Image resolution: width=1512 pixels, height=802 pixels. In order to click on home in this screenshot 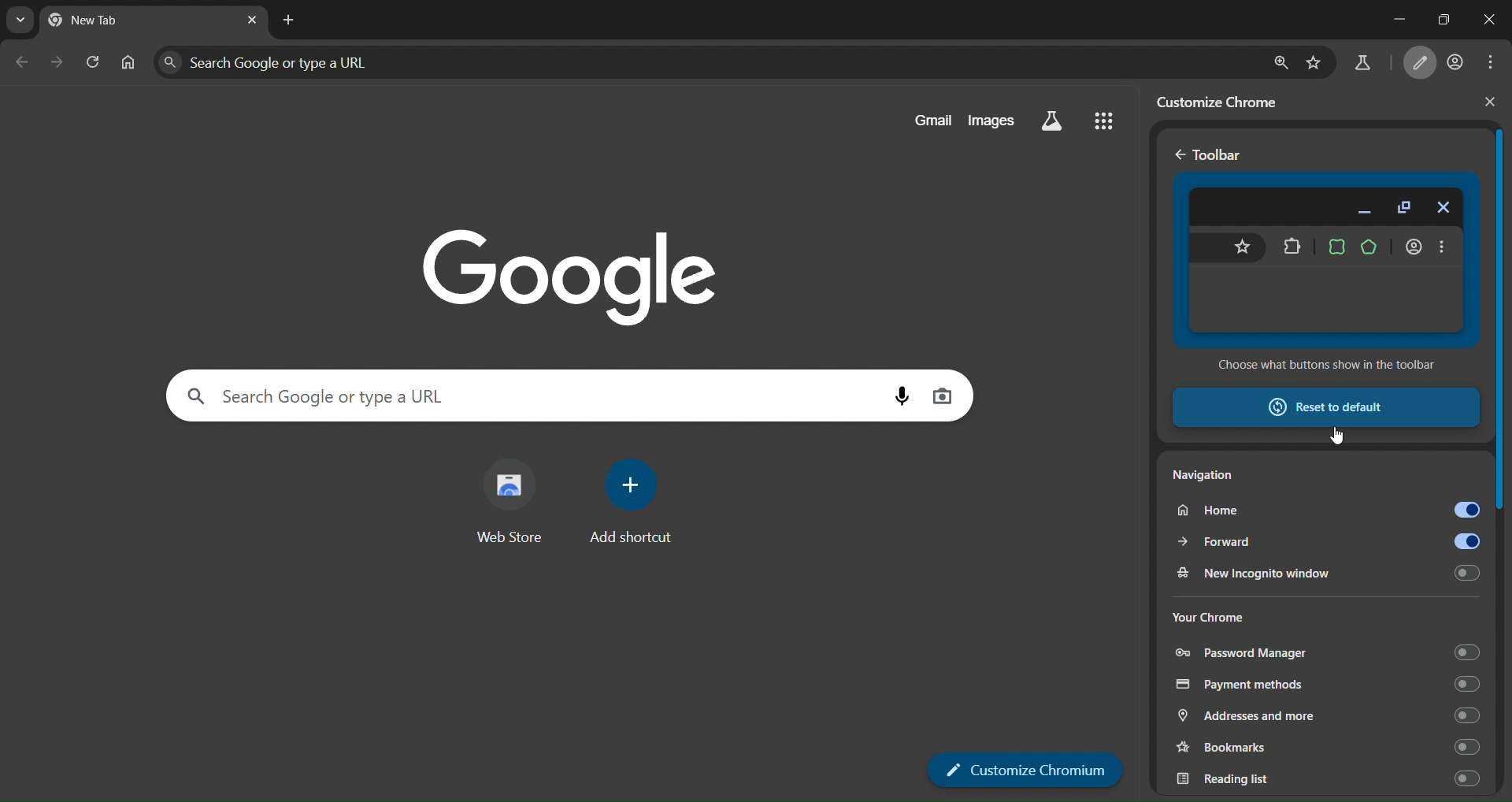, I will do `click(1320, 511)`.